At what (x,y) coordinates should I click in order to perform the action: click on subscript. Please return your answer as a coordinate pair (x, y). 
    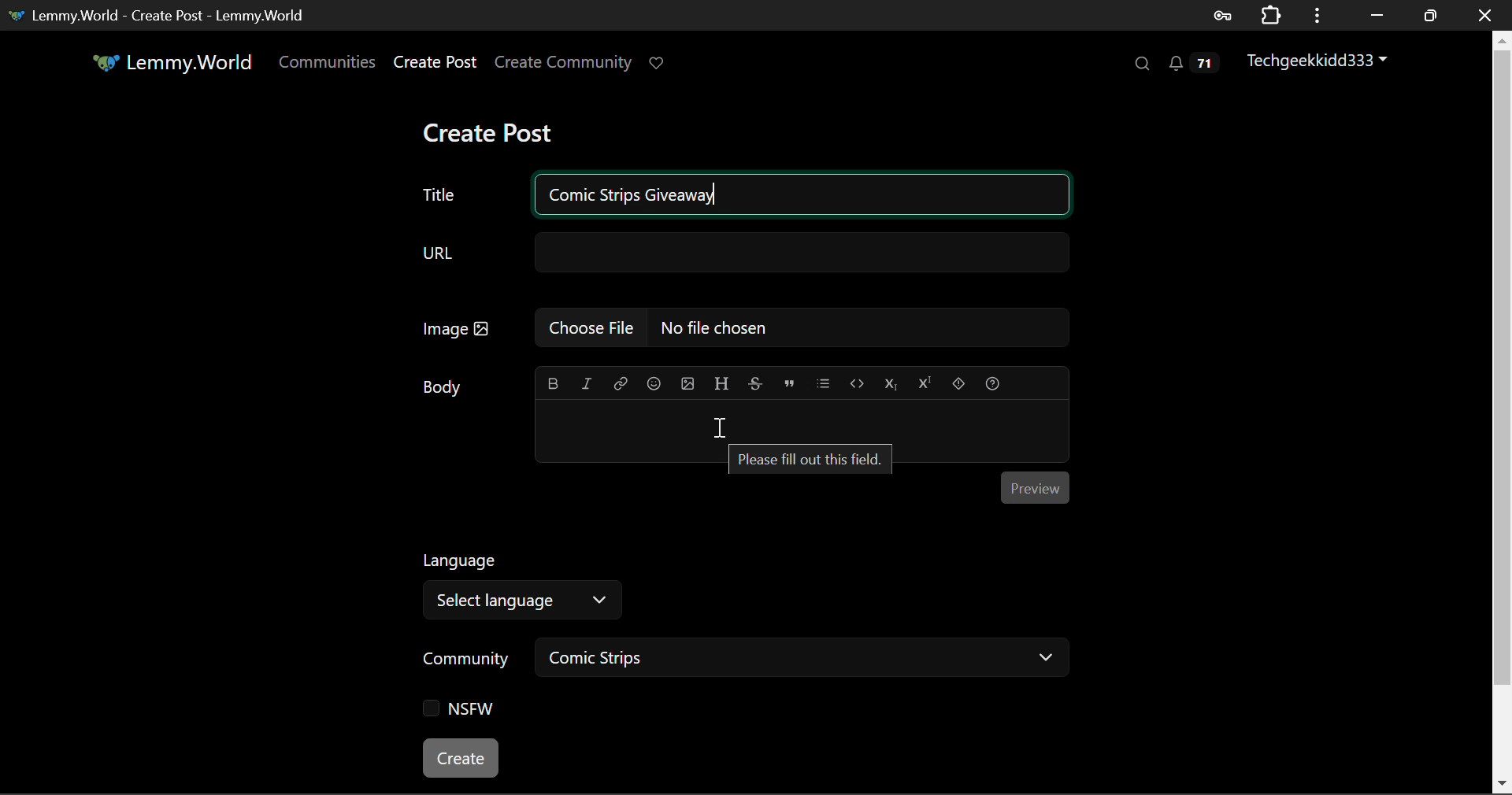
    Looking at the image, I should click on (891, 383).